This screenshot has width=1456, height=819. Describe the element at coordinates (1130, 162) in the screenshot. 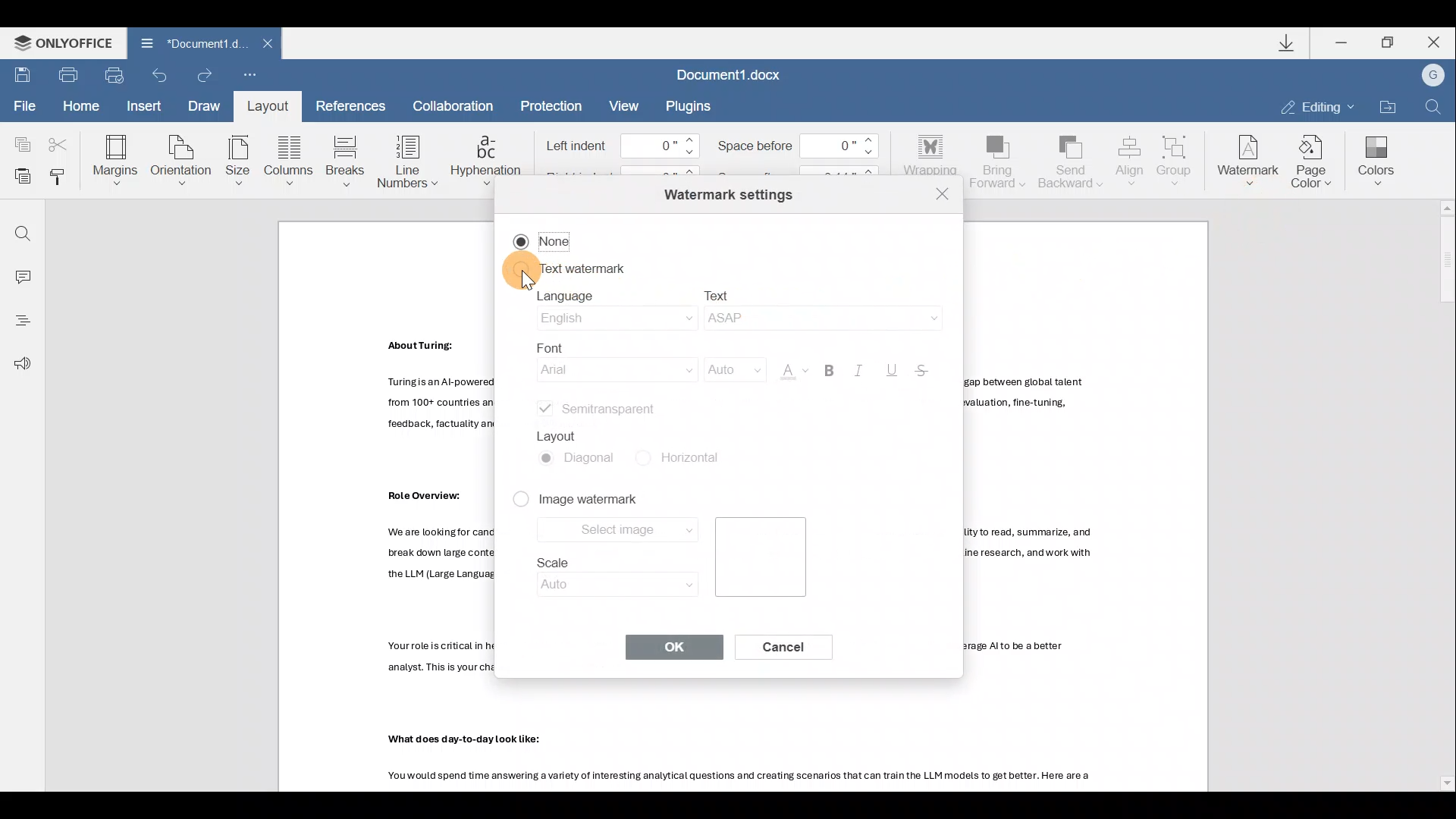

I see `Align` at that location.